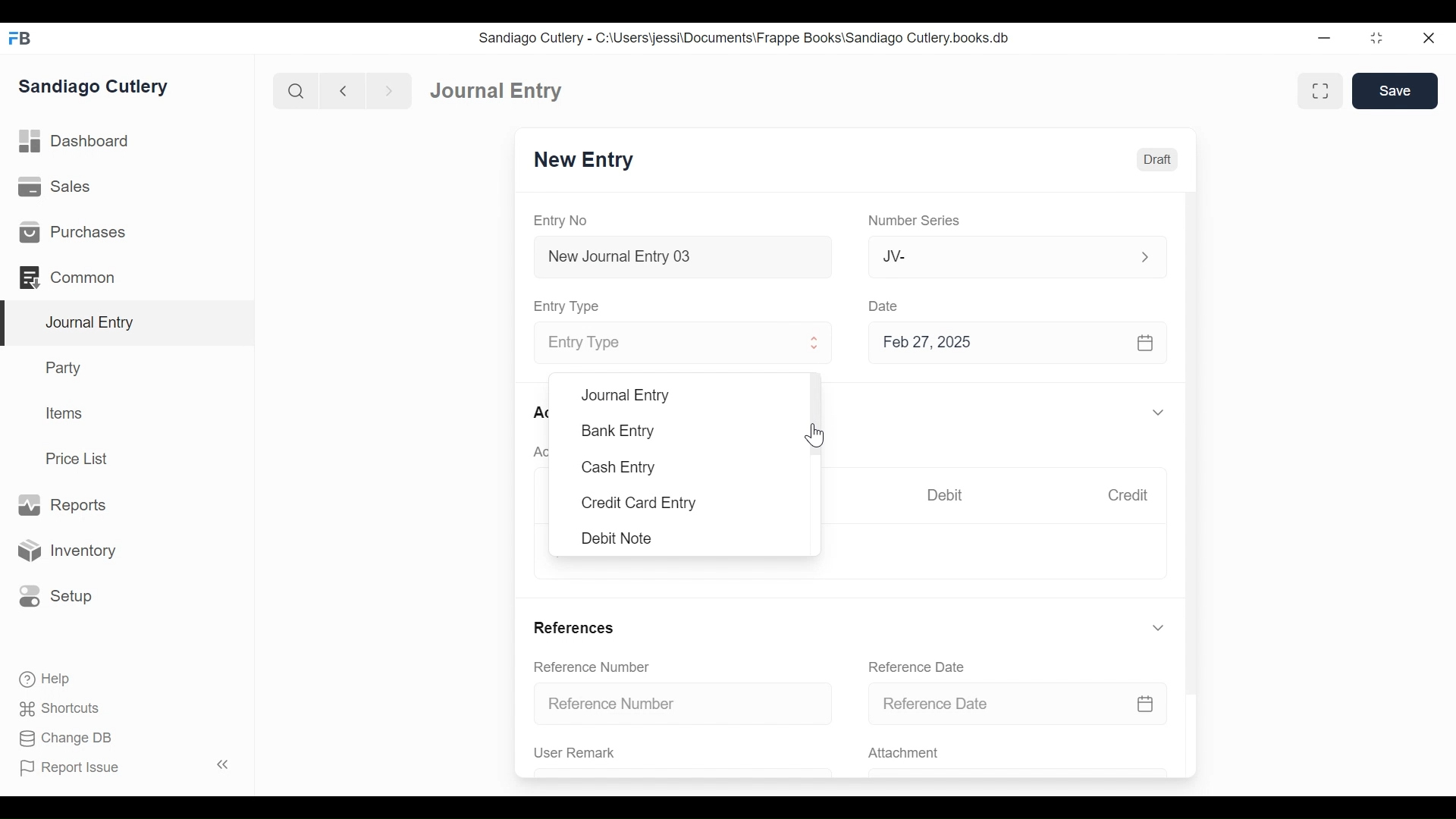 The image size is (1456, 819). Describe the element at coordinates (56, 597) in the screenshot. I see `Setup` at that location.